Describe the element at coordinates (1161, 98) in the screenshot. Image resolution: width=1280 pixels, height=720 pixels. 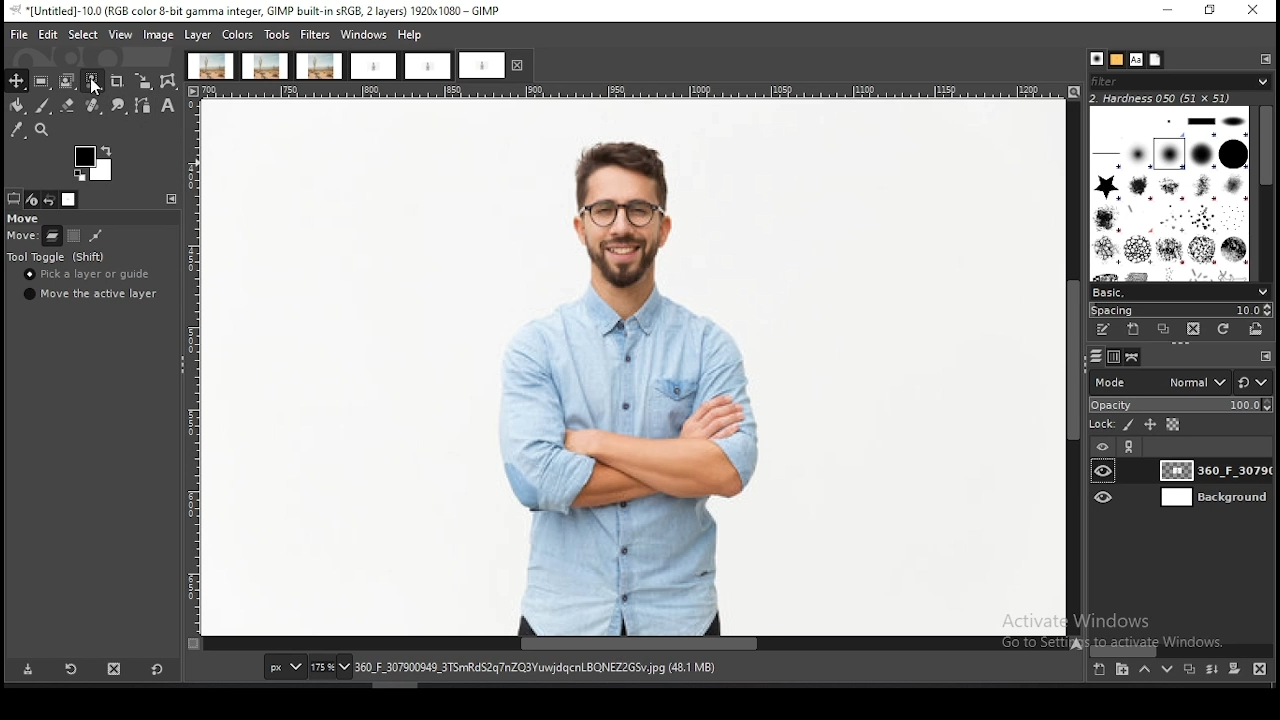
I see `hardness 050 (51x51)` at that location.